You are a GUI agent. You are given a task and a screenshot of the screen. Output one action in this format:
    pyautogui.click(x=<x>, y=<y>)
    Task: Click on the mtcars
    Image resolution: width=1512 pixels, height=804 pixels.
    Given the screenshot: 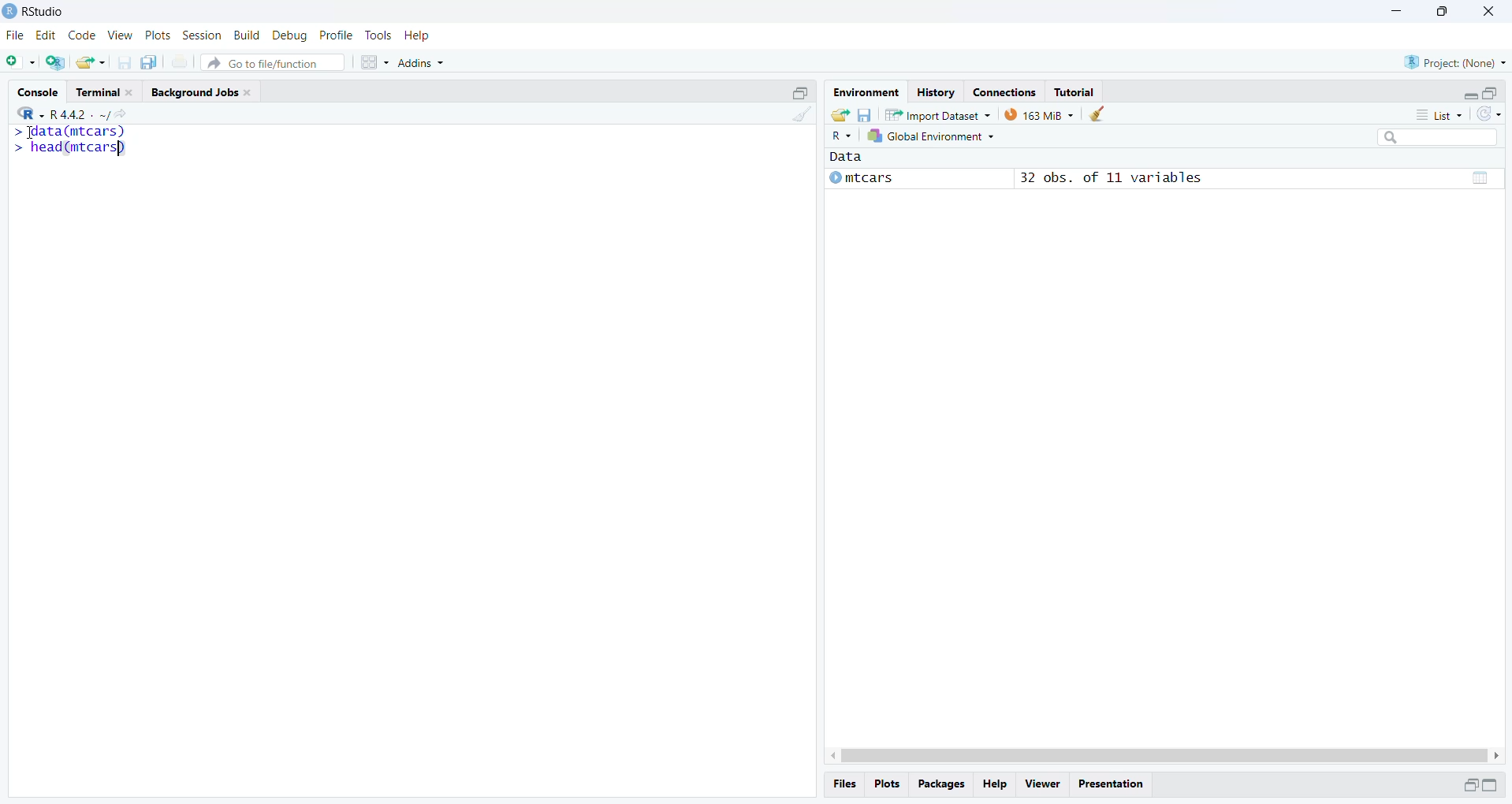 What is the action you would take?
    pyautogui.click(x=863, y=178)
    